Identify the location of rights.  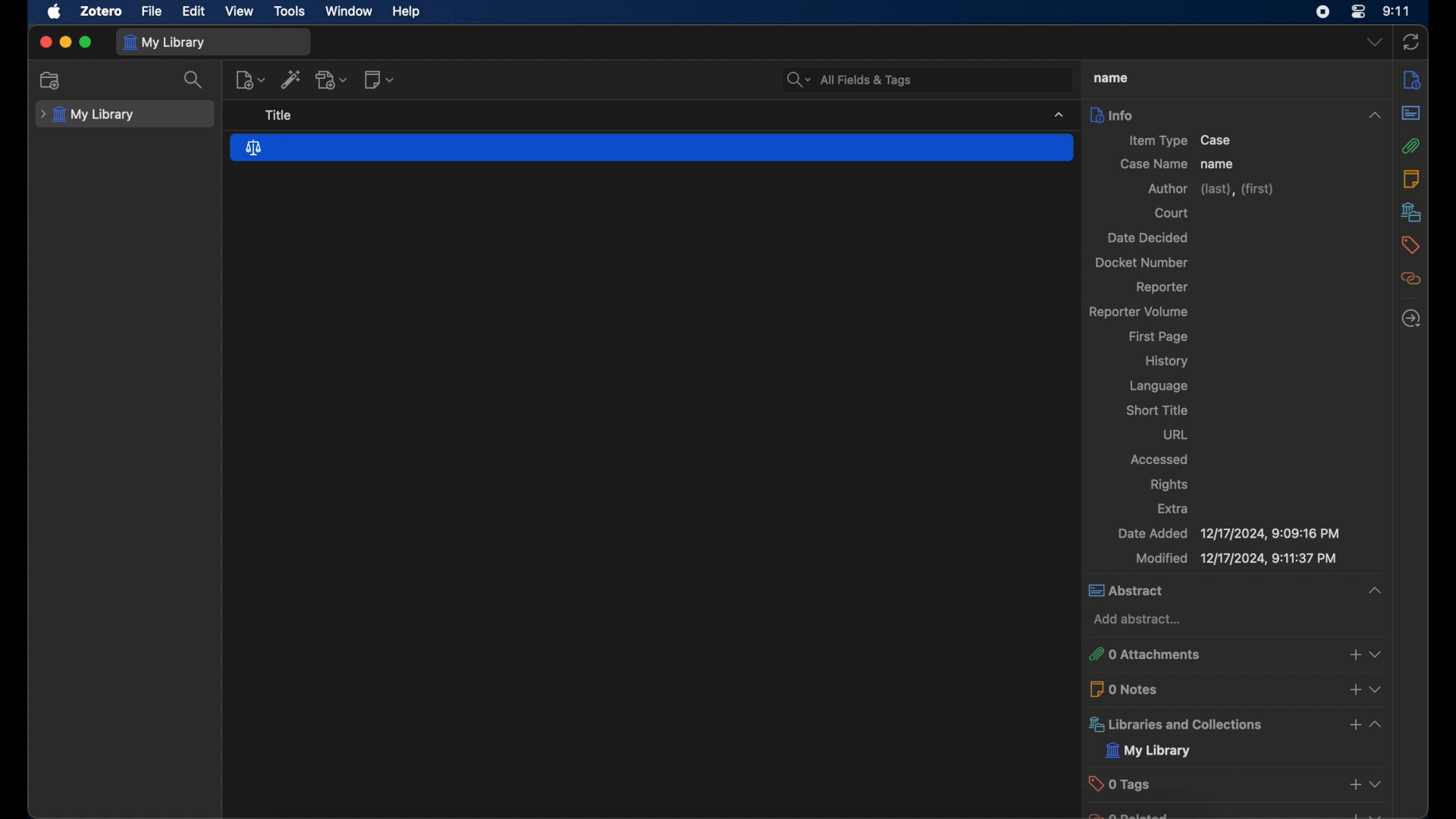
(1169, 485).